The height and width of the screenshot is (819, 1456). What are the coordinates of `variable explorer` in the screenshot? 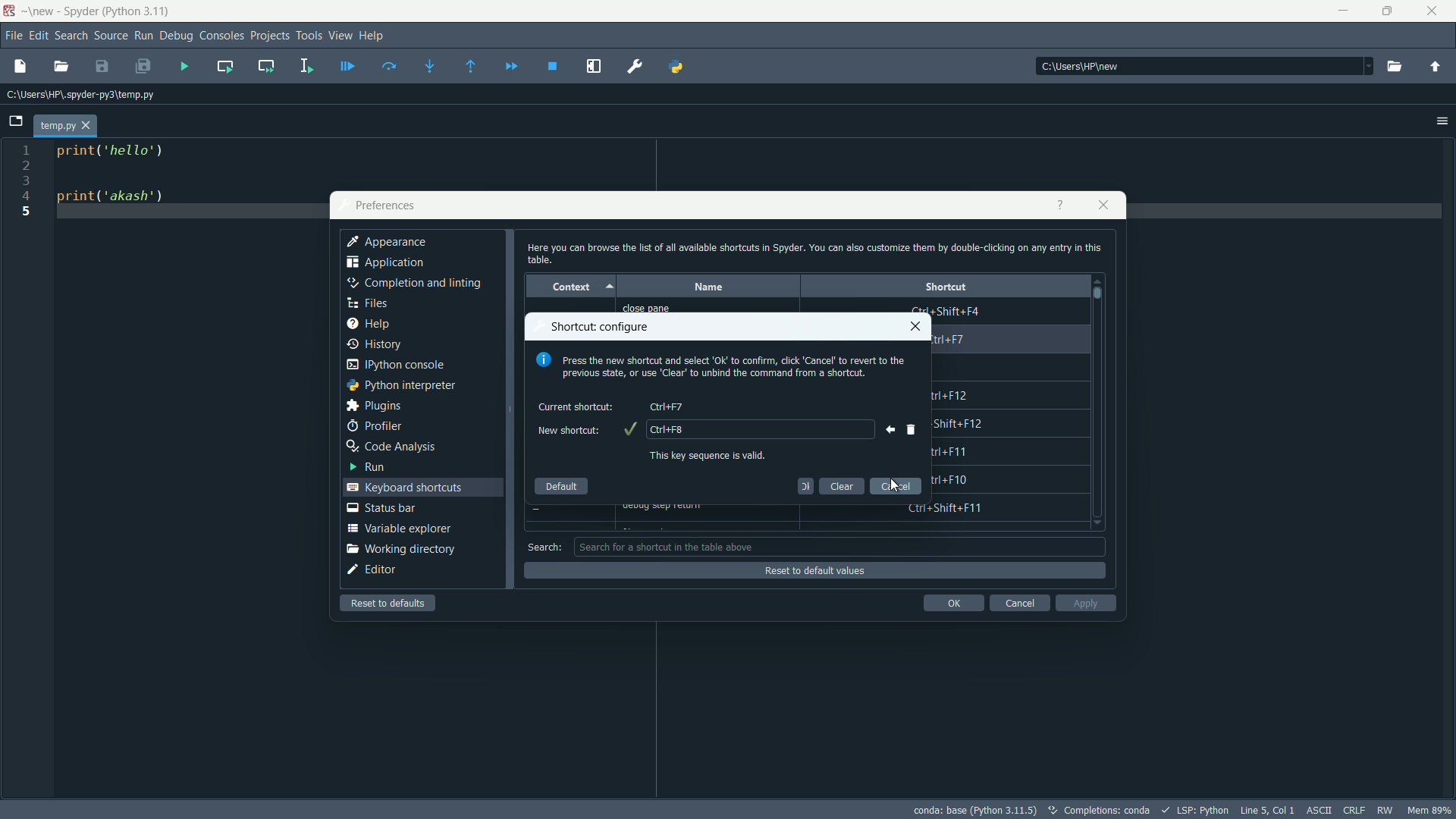 It's located at (398, 528).